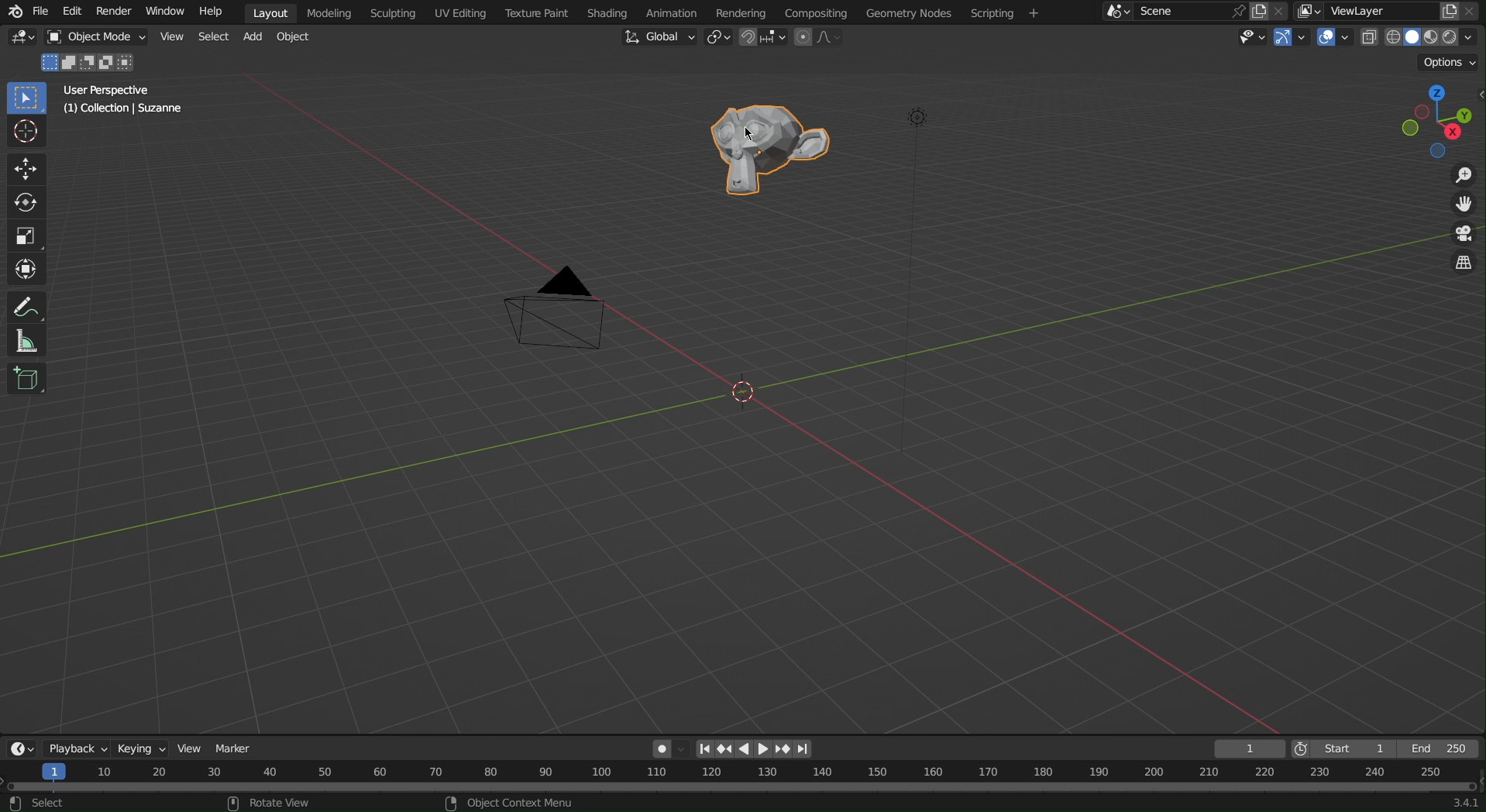 The height and width of the screenshot is (812, 1486). Describe the element at coordinates (16, 12) in the screenshot. I see `logo` at that location.